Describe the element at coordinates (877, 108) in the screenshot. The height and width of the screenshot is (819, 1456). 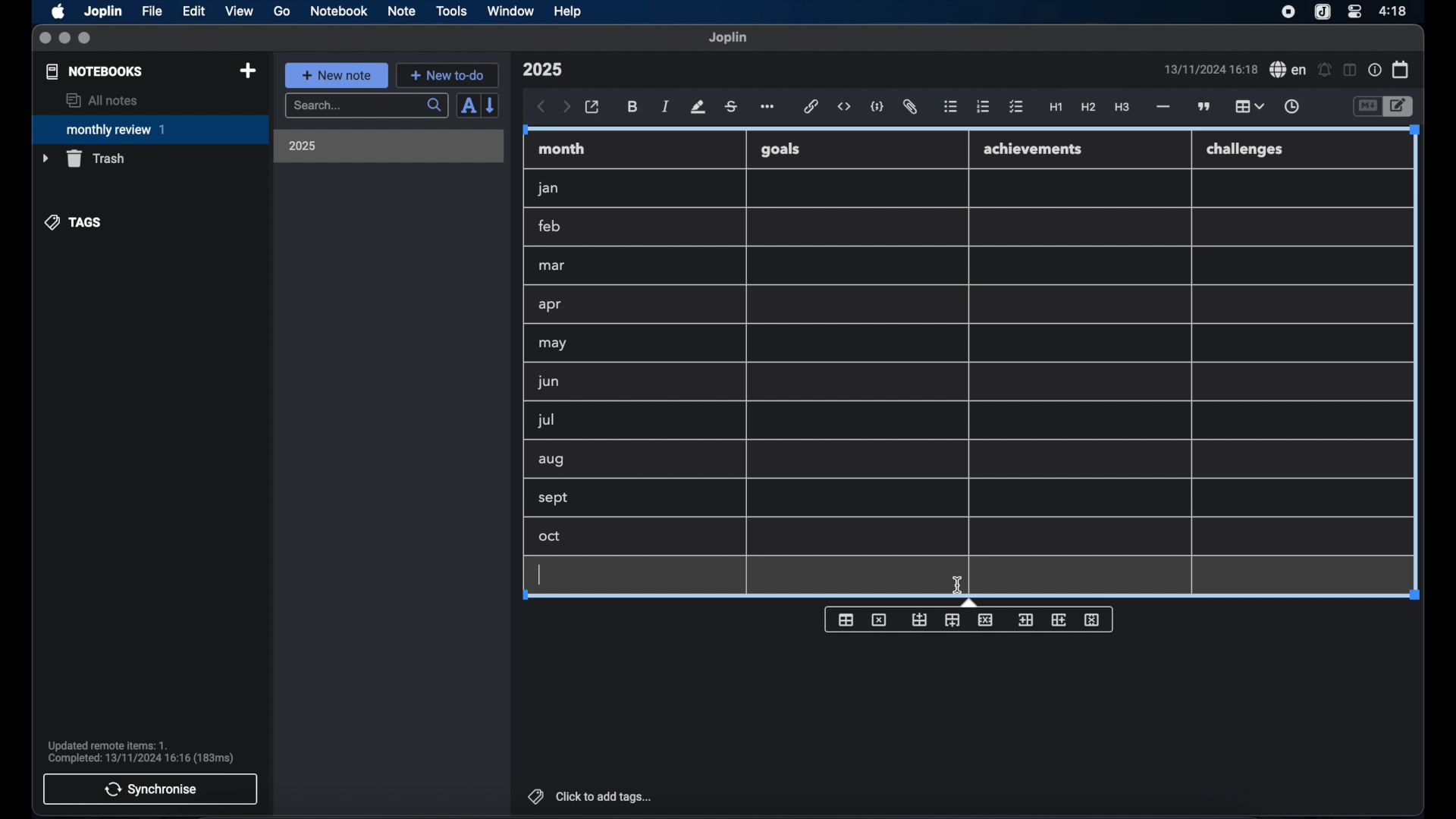
I see `code` at that location.